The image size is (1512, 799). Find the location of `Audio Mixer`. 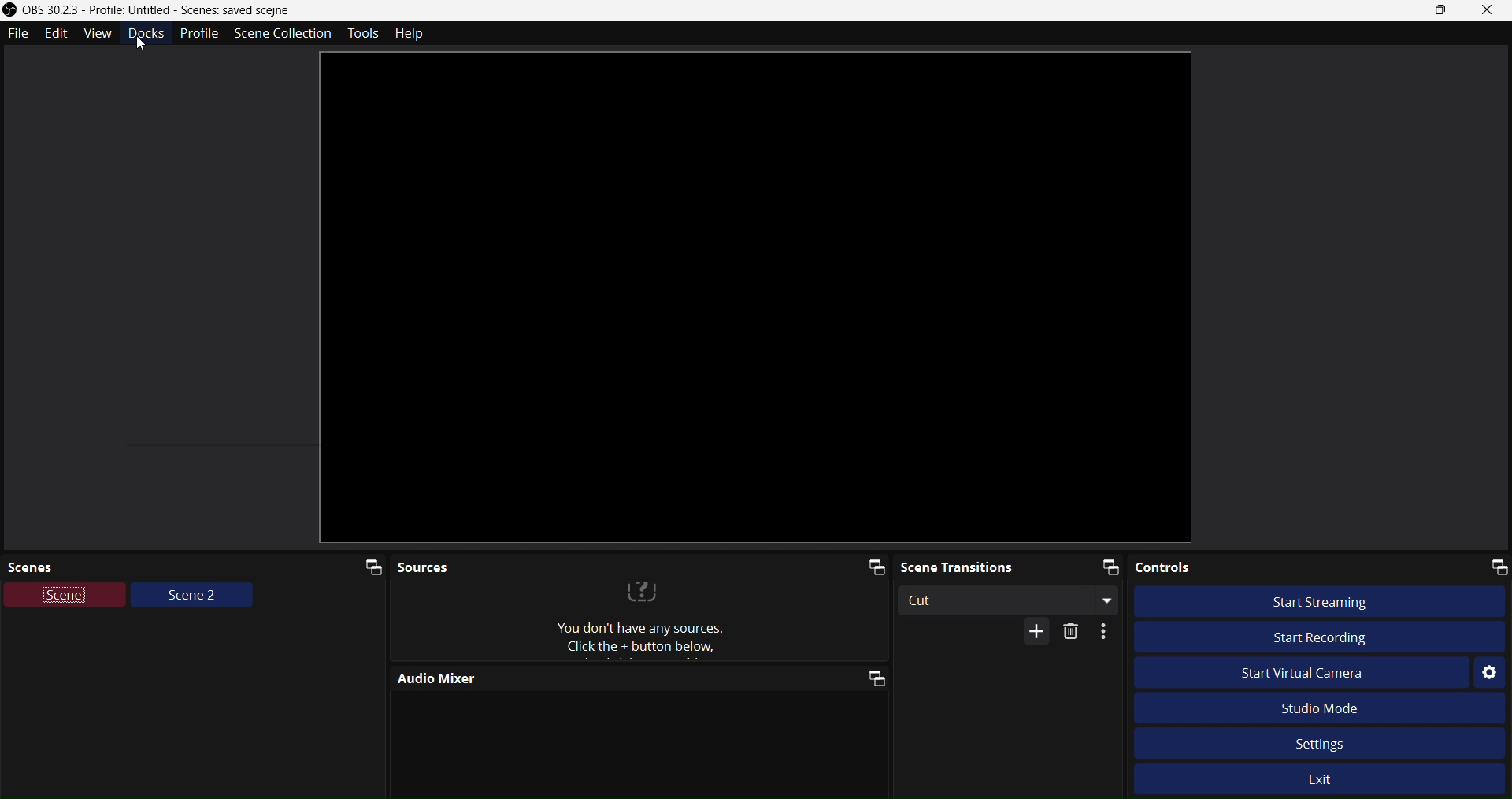

Audio Mixer is located at coordinates (594, 678).